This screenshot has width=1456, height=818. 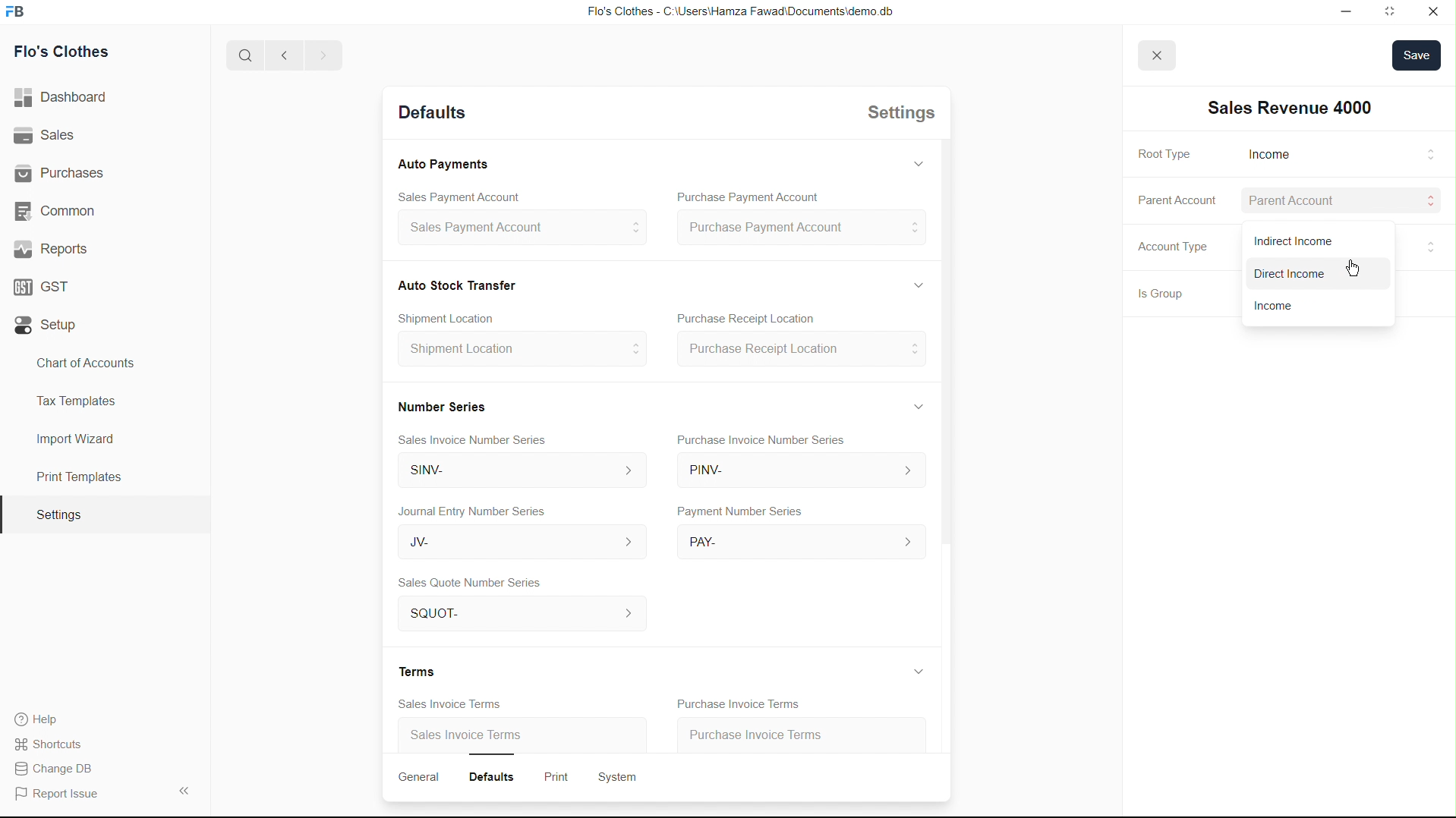 What do you see at coordinates (75, 439) in the screenshot?
I see `Import Wizard` at bounding box center [75, 439].